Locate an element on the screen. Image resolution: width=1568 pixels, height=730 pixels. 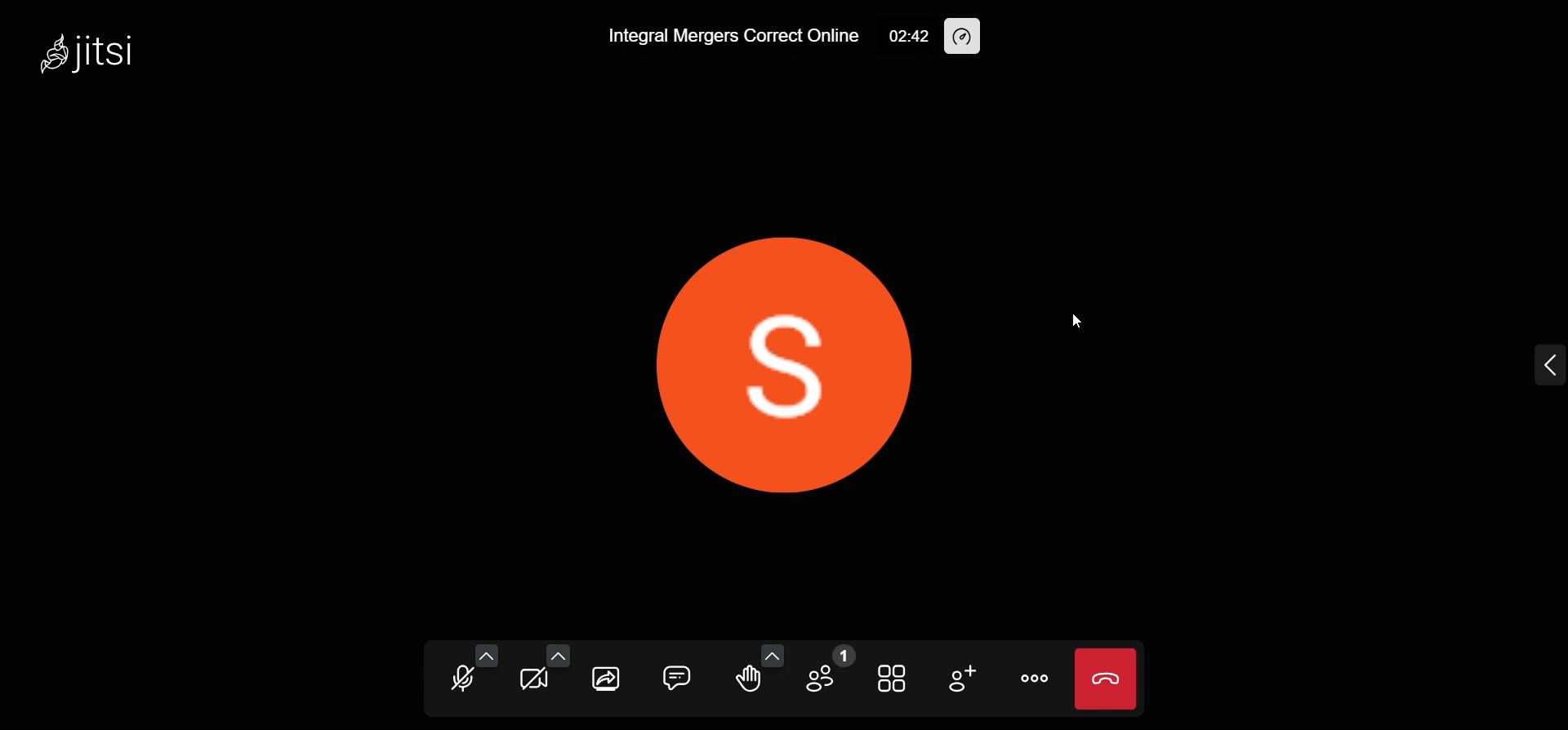
more options is located at coordinates (1032, 678).